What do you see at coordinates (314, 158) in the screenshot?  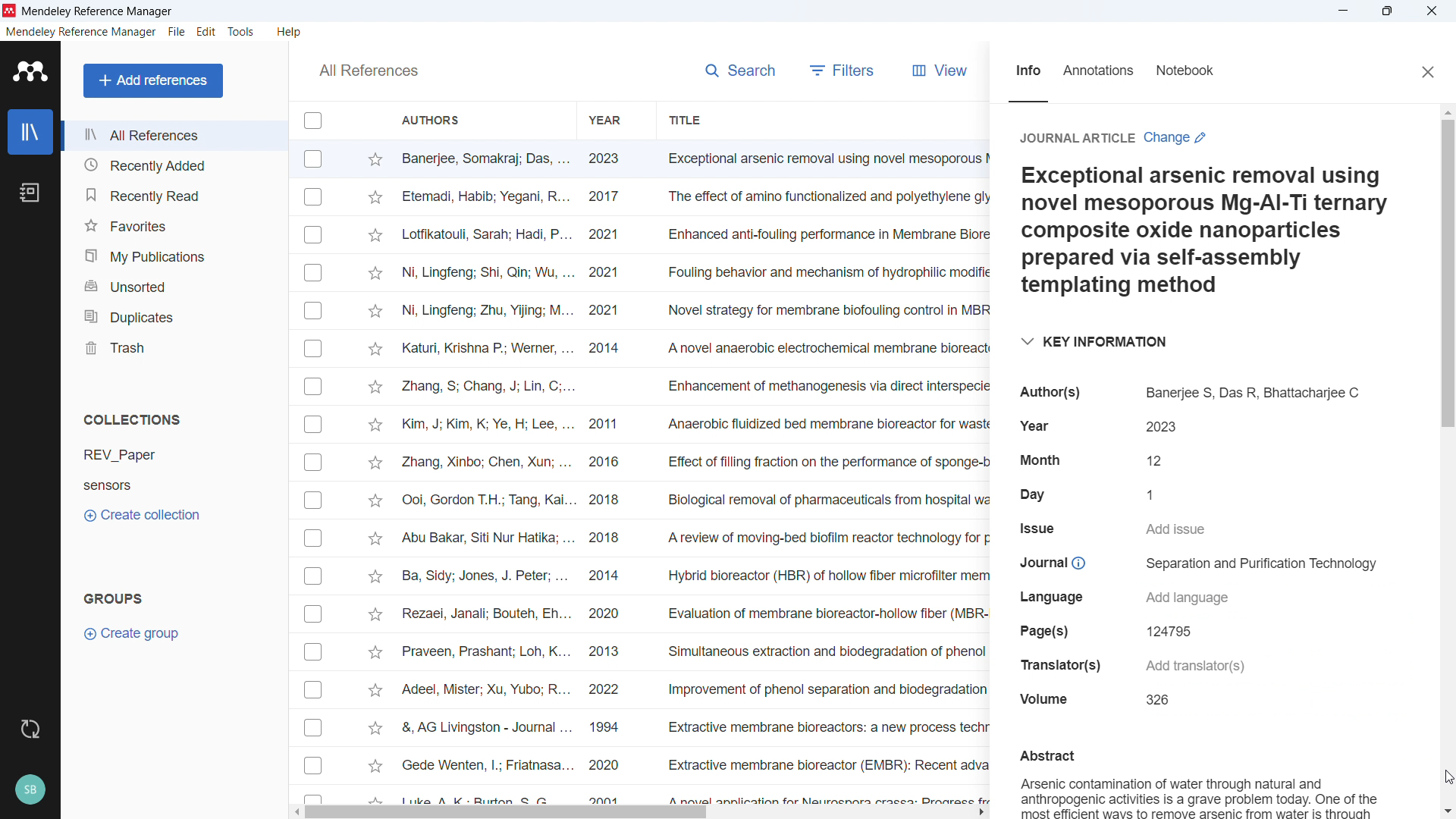 I see `Click to select individual Entry ` at bounding box center [314, 158].